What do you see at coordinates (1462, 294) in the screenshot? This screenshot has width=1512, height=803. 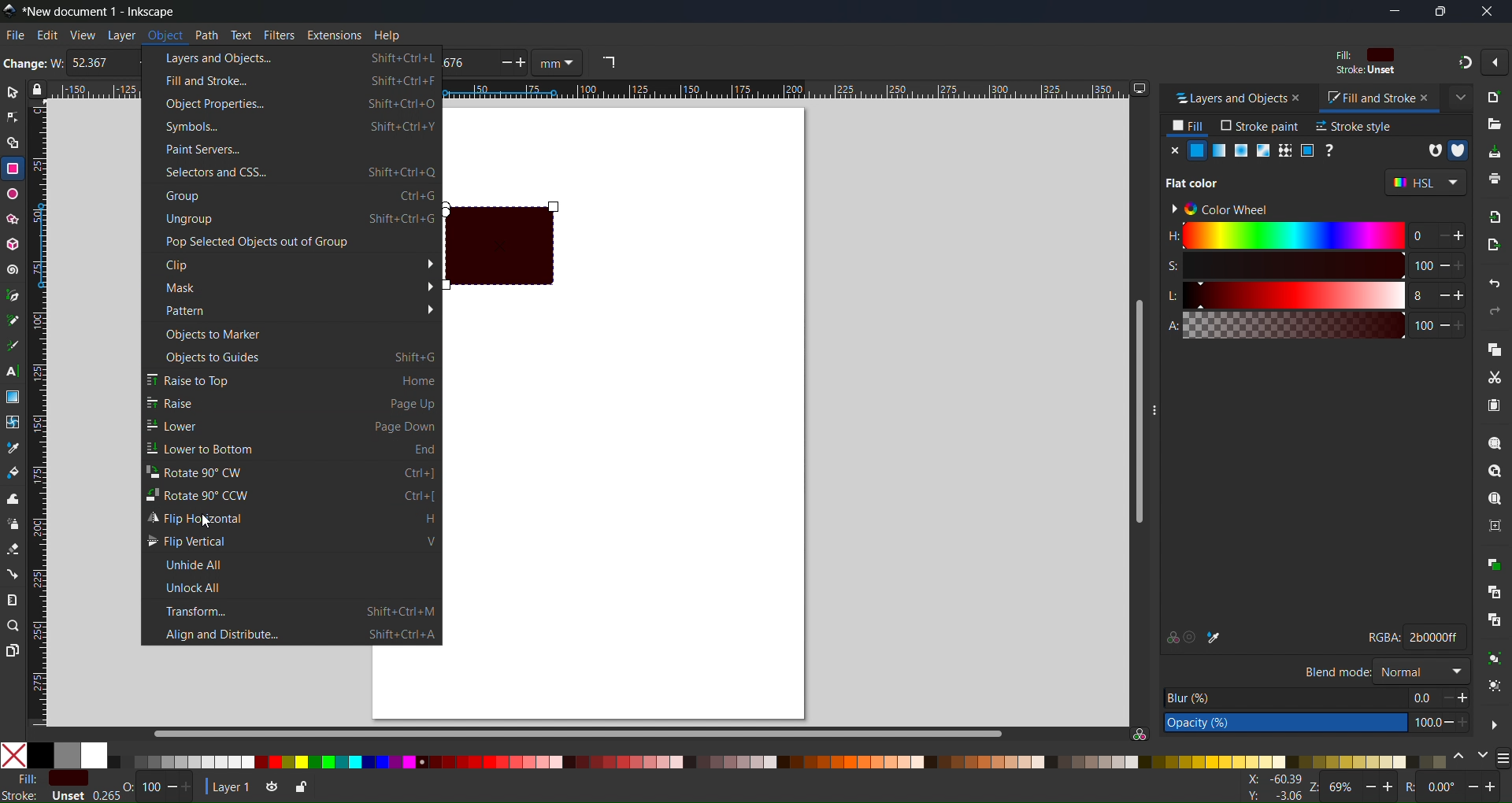 I see `increase lightess` at bounding box center [1462, 294].